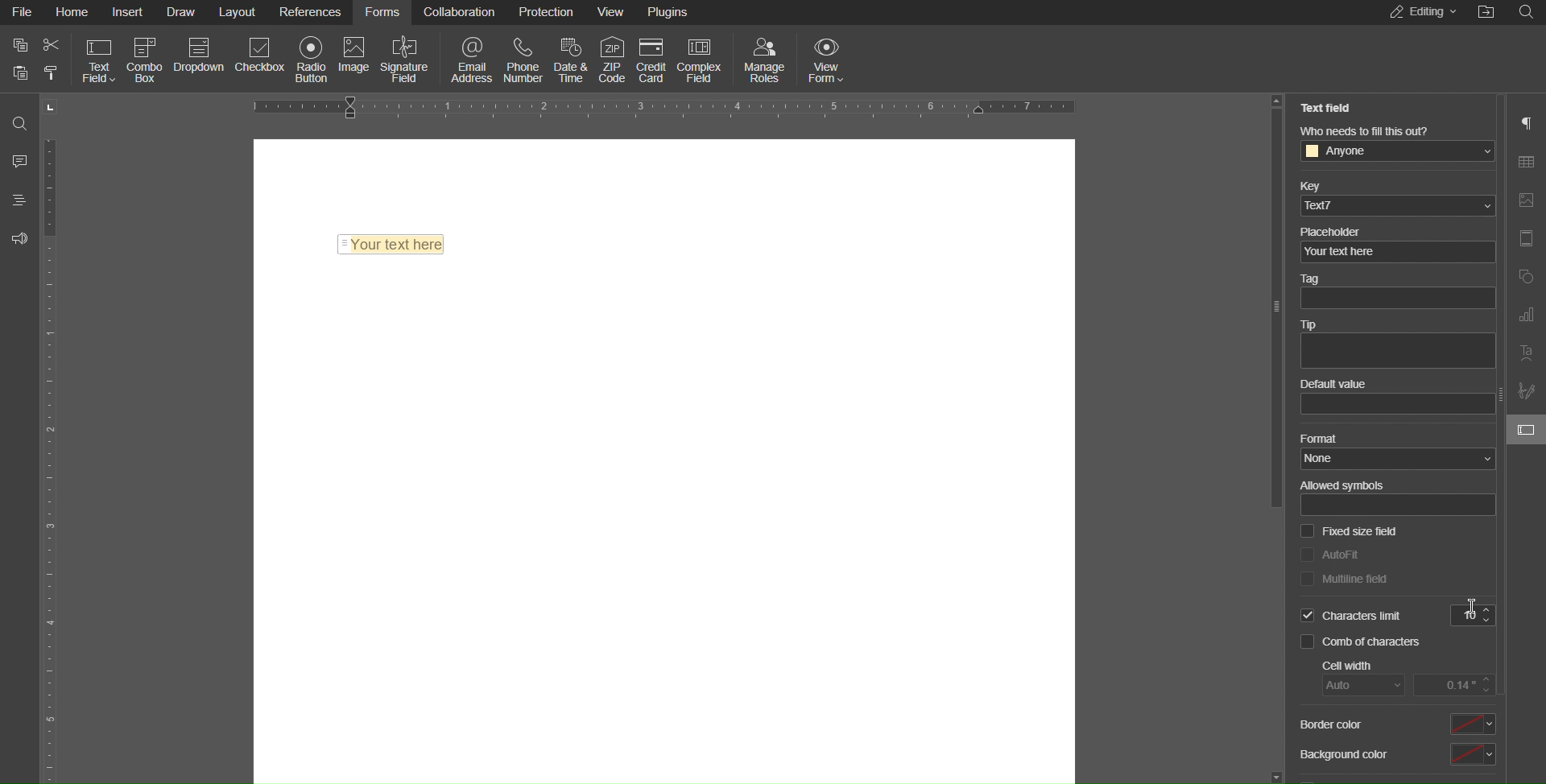  What do you see at coordinates (1395, 757) in the screenshot?
I see `Background color` at bounding box center [1395, 757].